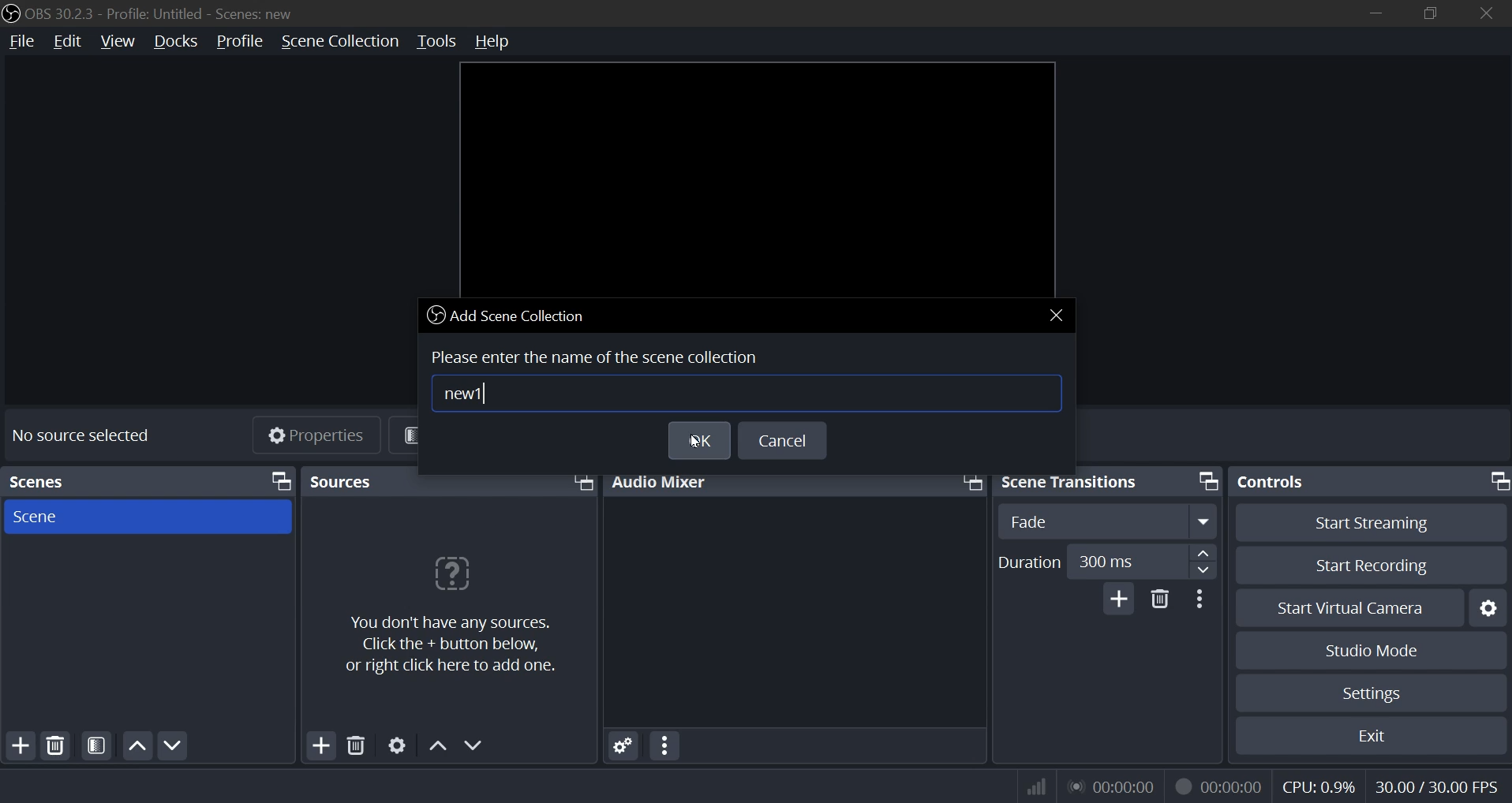 The width and height of the screenshot is (1512, 803). Describe the element at coordinates (1435, 11) in the screenshot. I see `restore down` at that location.